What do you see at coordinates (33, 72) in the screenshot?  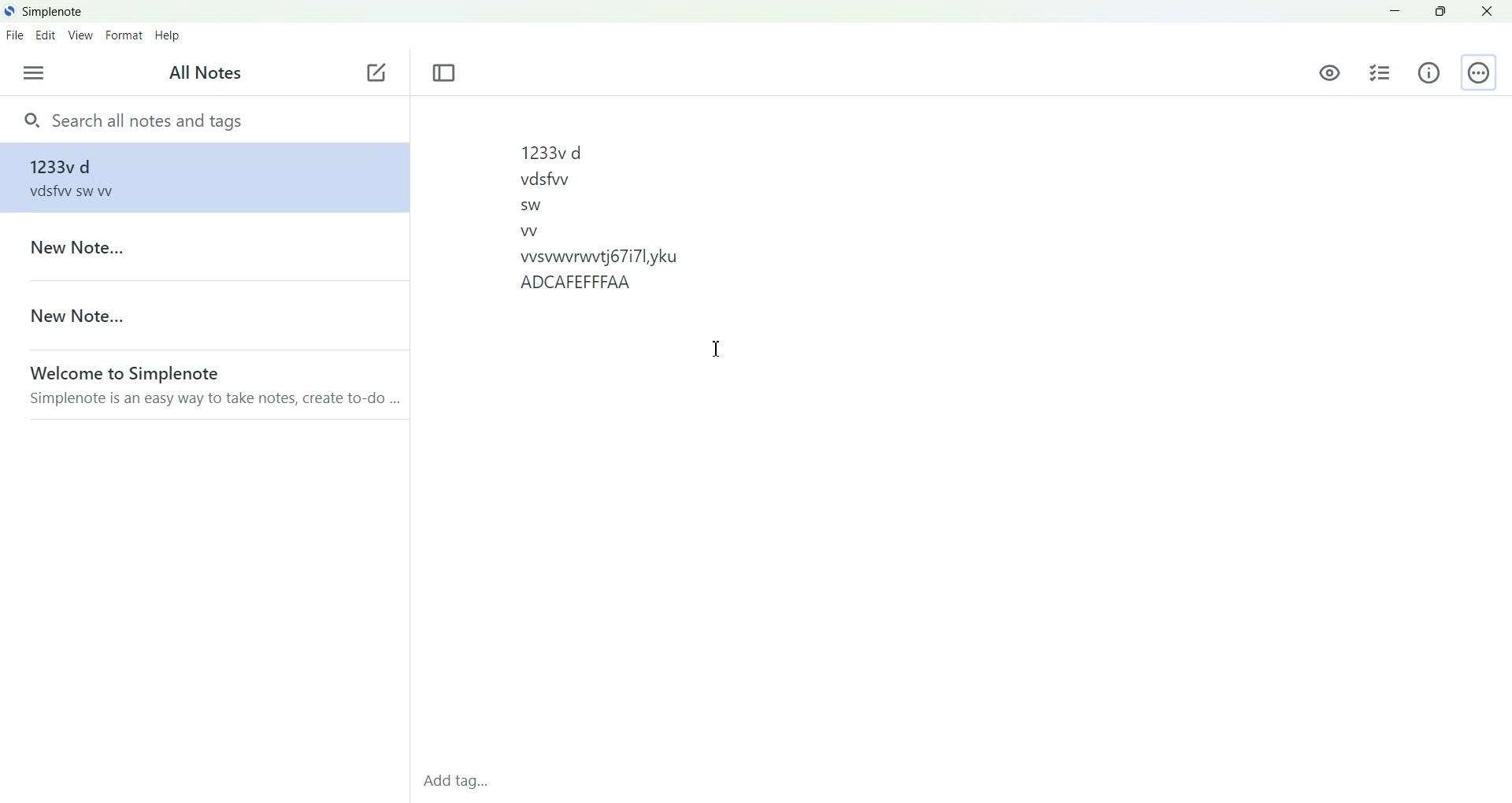 I see `Menu` at bounding box center [33, 72].